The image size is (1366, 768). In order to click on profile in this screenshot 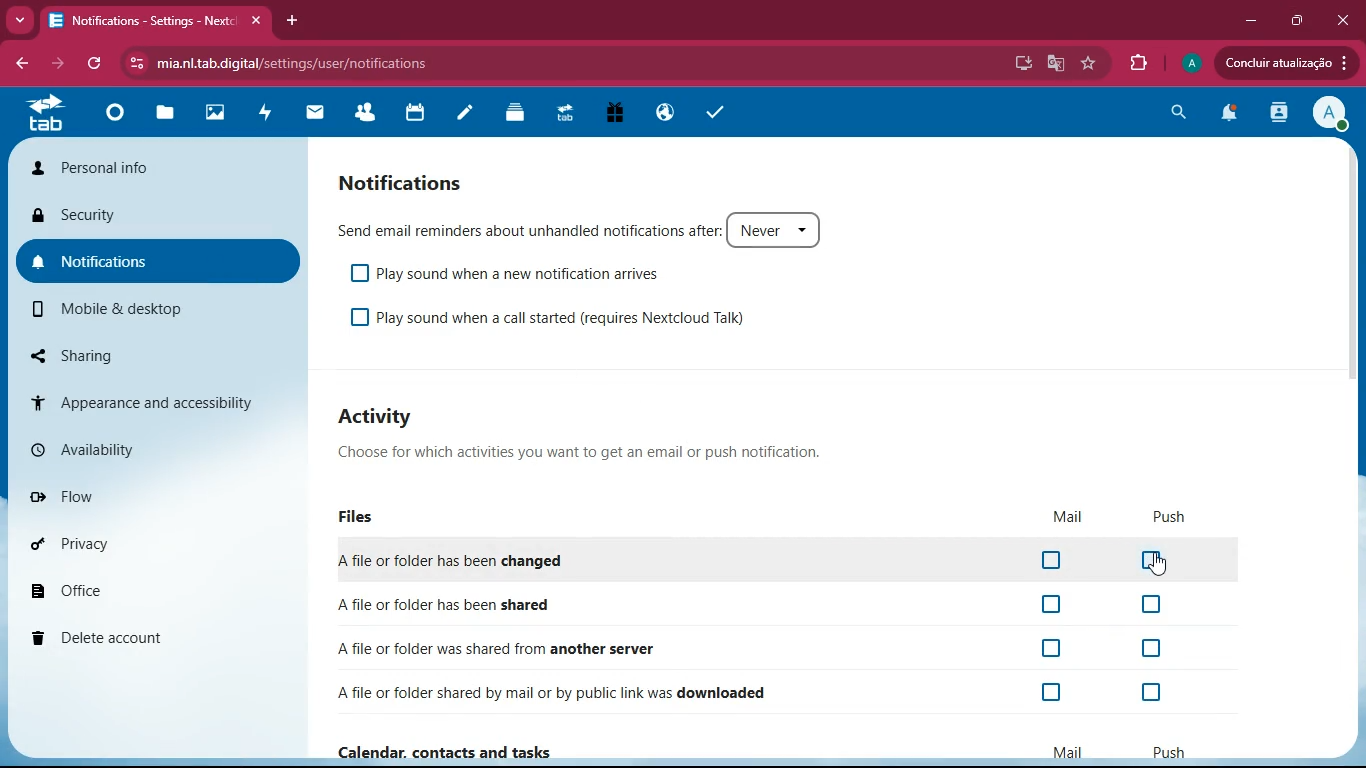, I will do `click(1192, 63)`.